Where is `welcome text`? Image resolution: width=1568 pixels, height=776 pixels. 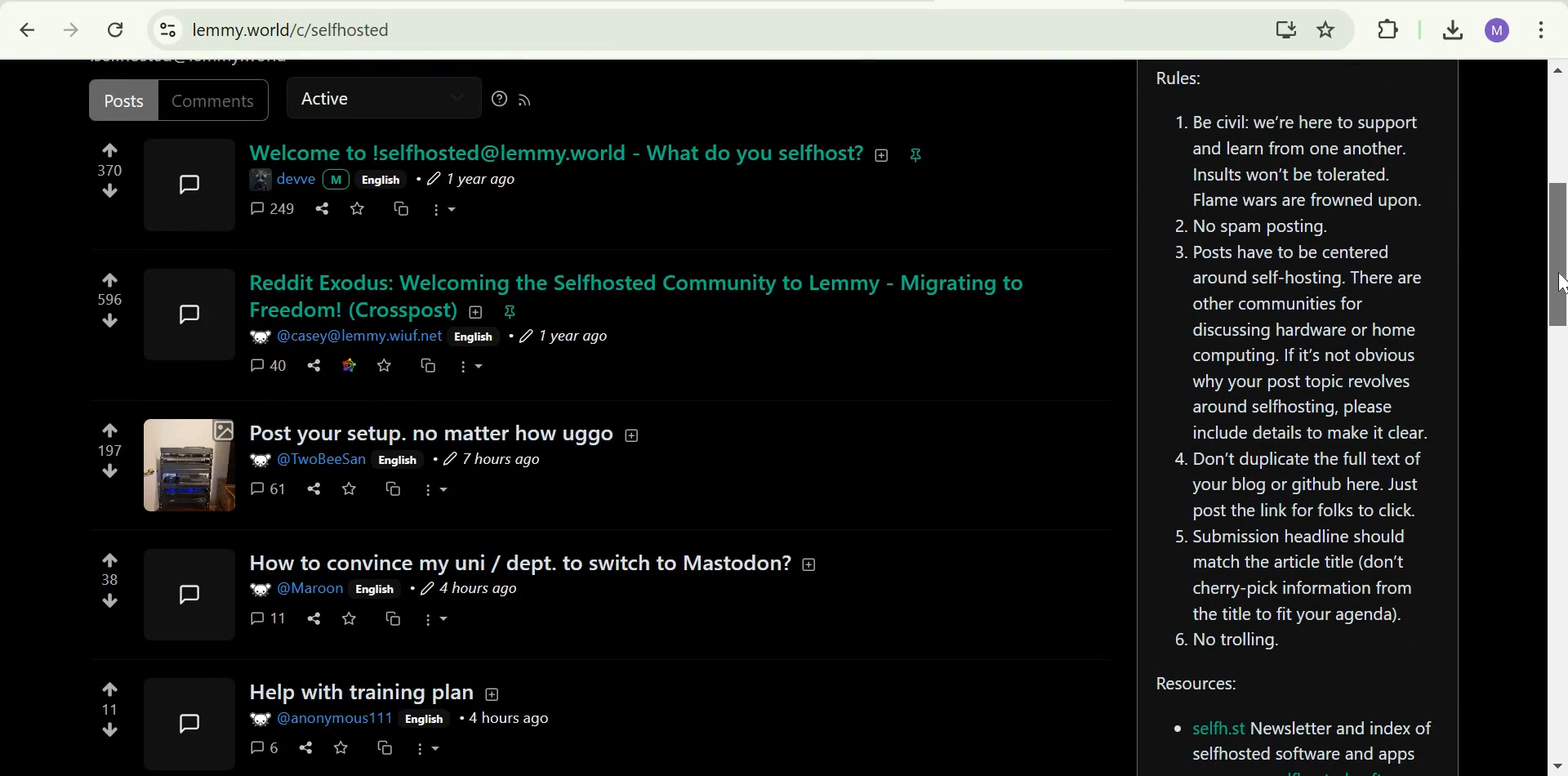
welcome text is located at coordinates (553, 152).